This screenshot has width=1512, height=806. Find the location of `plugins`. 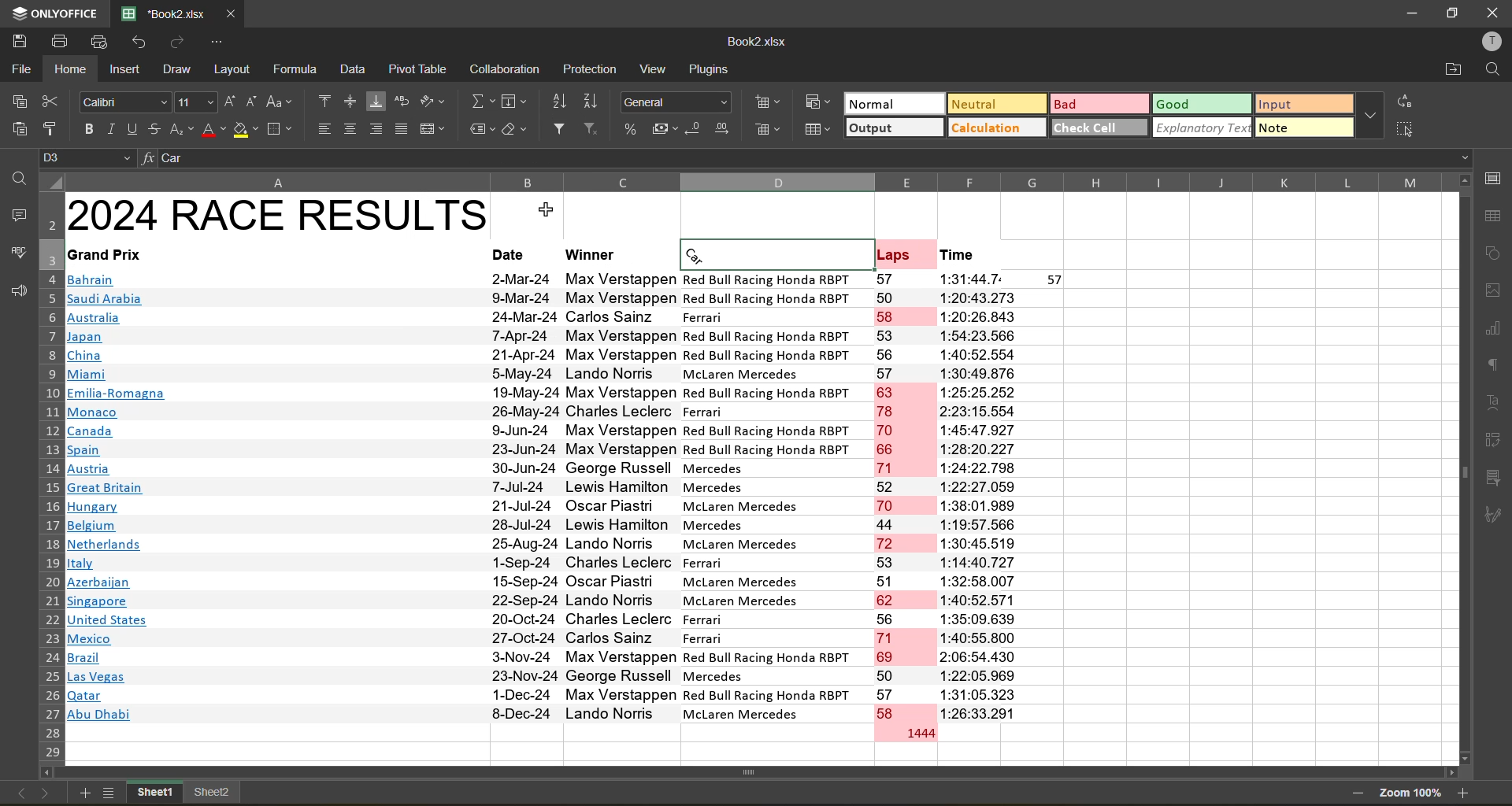

plugins is located at coordinates (712, 68).